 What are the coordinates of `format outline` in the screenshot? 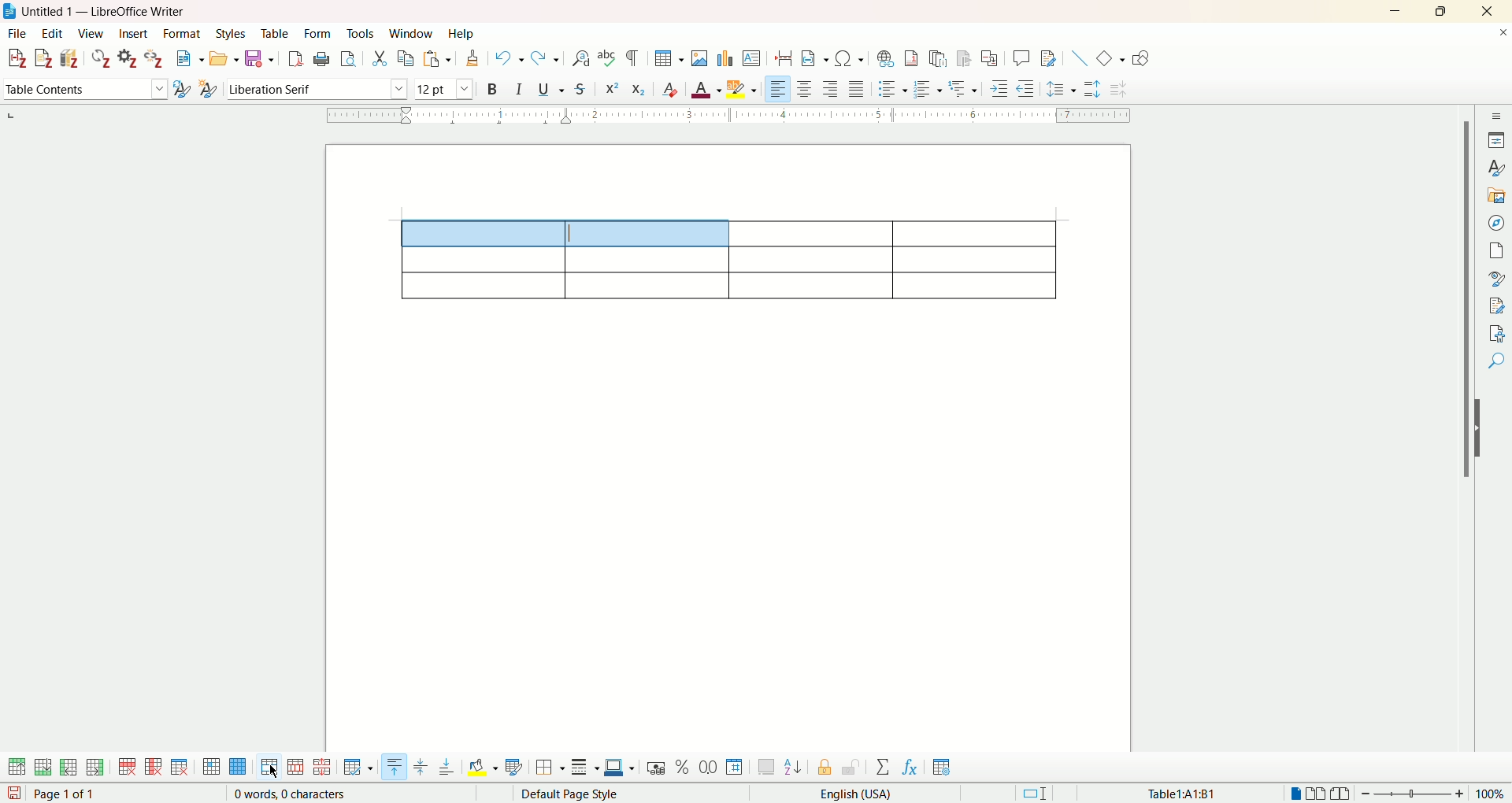 It's located at (965, 89).